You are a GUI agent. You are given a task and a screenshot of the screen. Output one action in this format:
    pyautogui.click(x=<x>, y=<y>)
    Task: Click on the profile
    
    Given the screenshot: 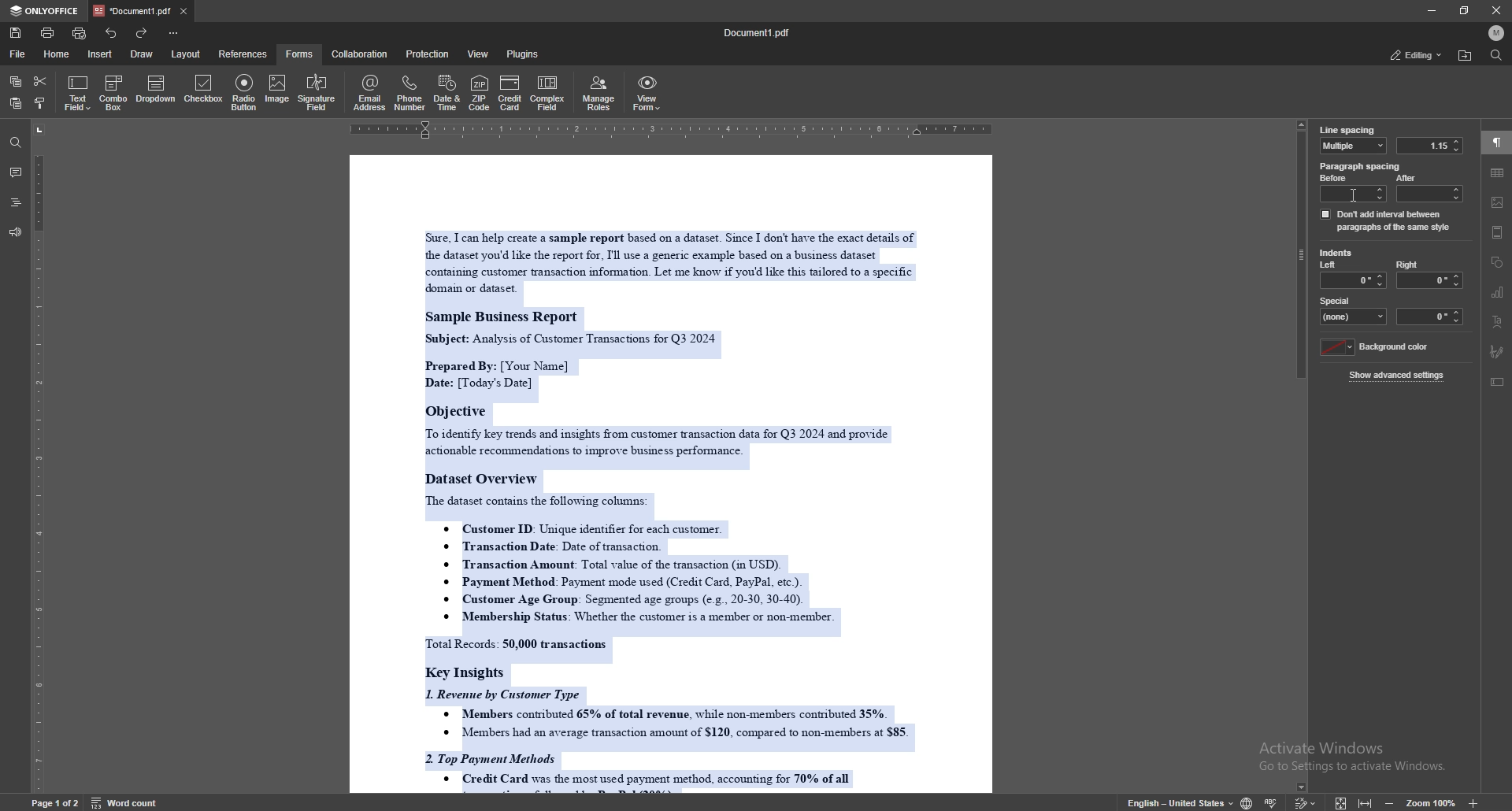 What is the action you would take?
    pyautogui.click(x=1496, y=32)
    